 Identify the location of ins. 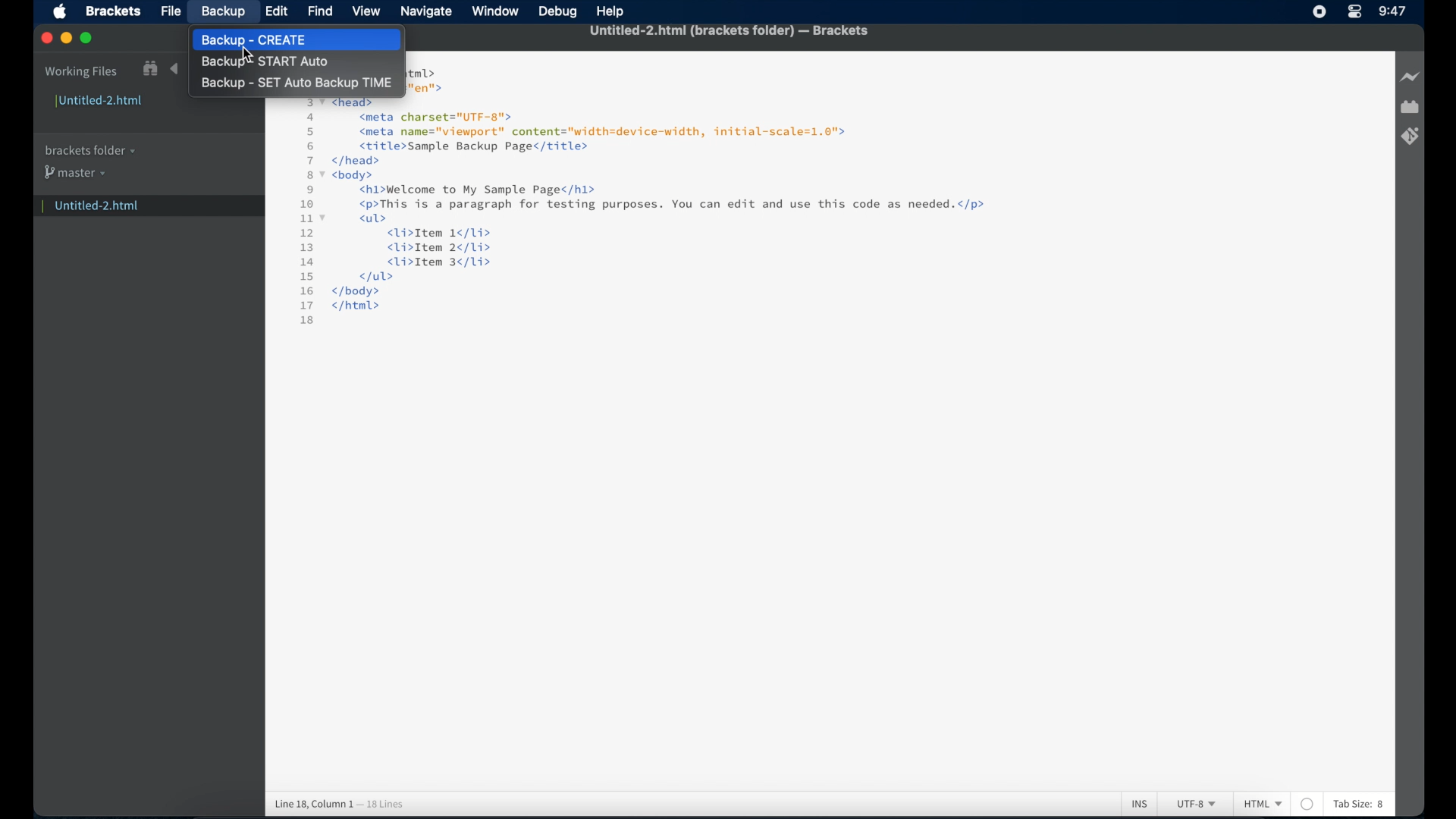
(1140, 805).